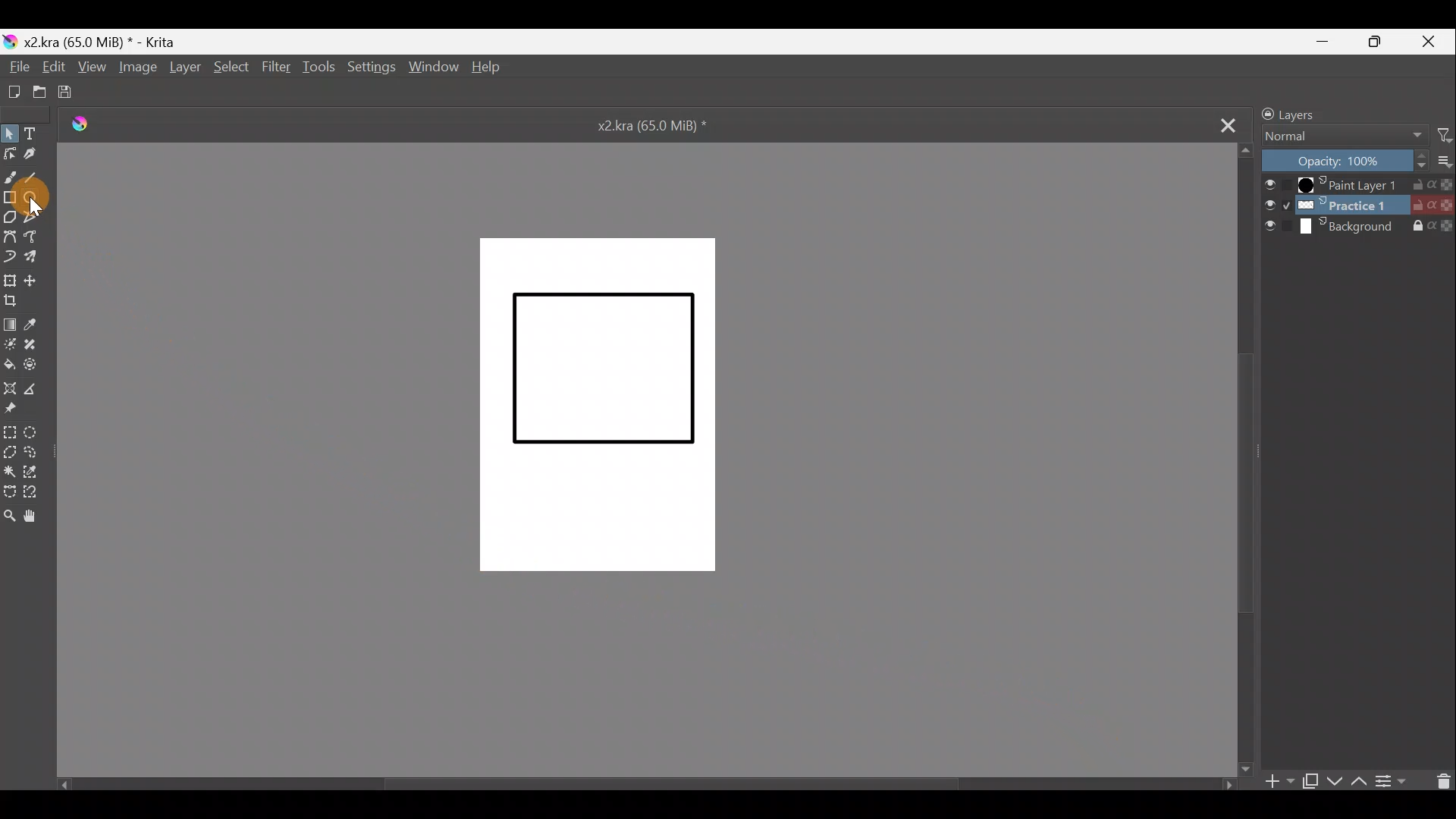 The image size is (1456, 819). Describe the element at coordinates (33, 133) in the screenshot. I see `Text tool` at that location.